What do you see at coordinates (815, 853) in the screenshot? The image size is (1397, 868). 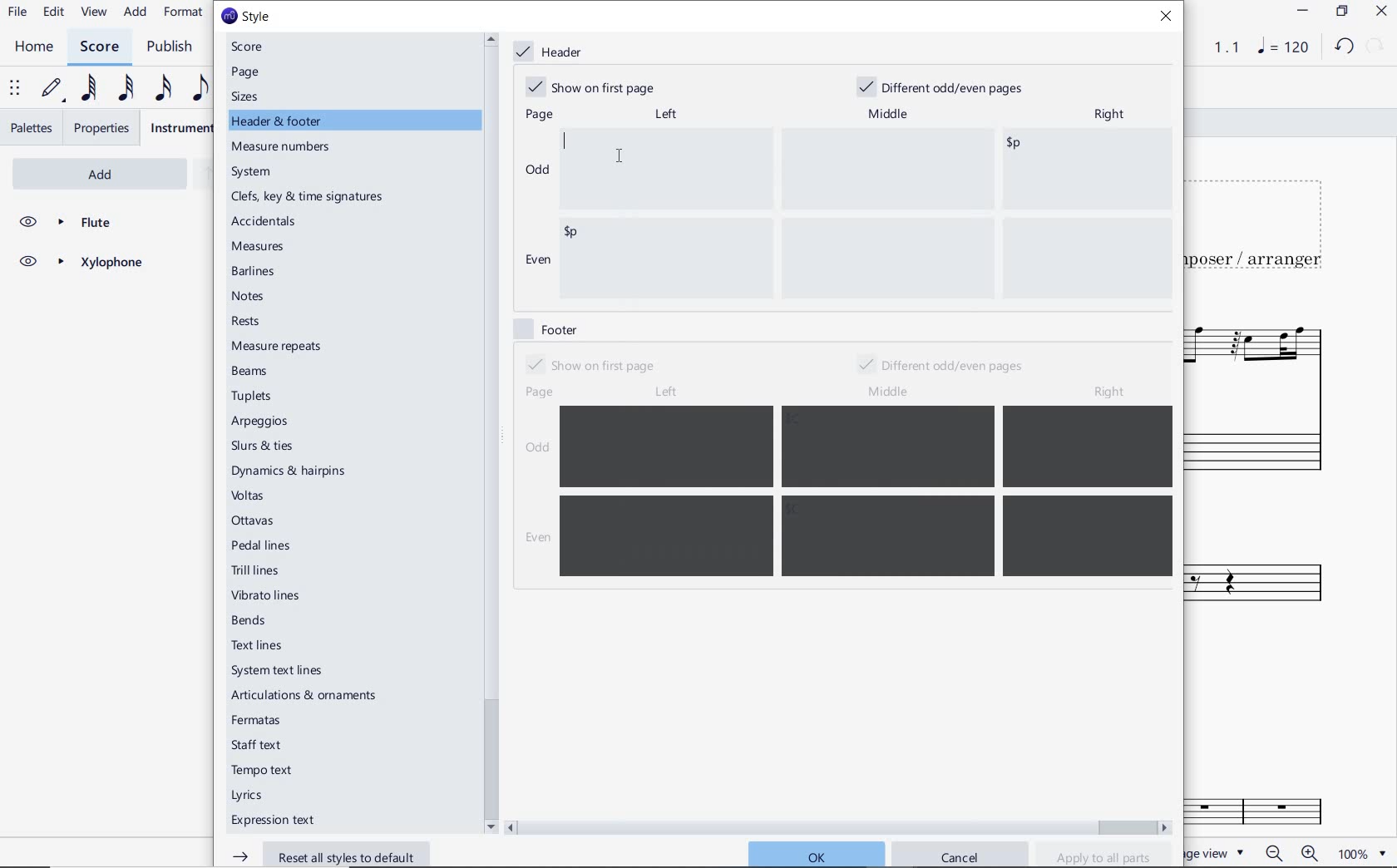 I see `ok` at bounding box center [815, 853].